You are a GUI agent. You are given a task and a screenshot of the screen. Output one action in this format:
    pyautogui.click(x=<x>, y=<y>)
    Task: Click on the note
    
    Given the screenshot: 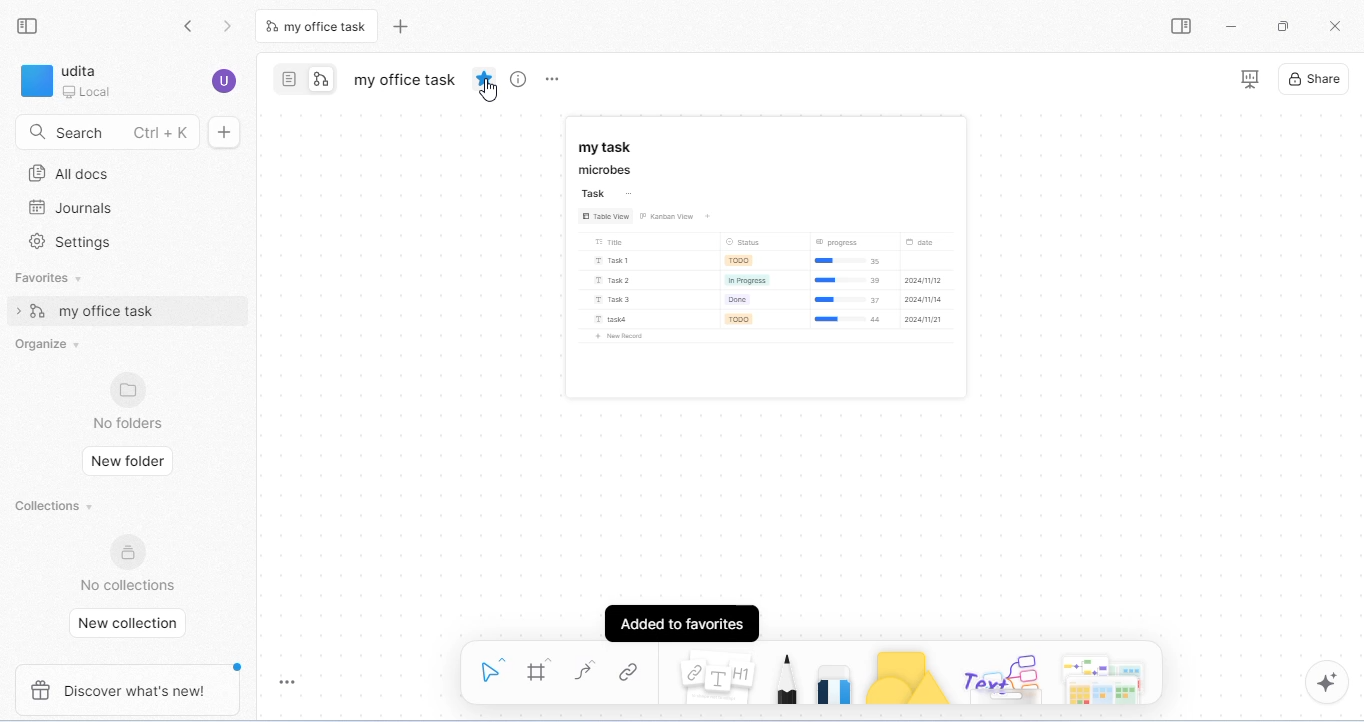 What is the action you would take?
    pyautogui.click(x=717, y=675)
    